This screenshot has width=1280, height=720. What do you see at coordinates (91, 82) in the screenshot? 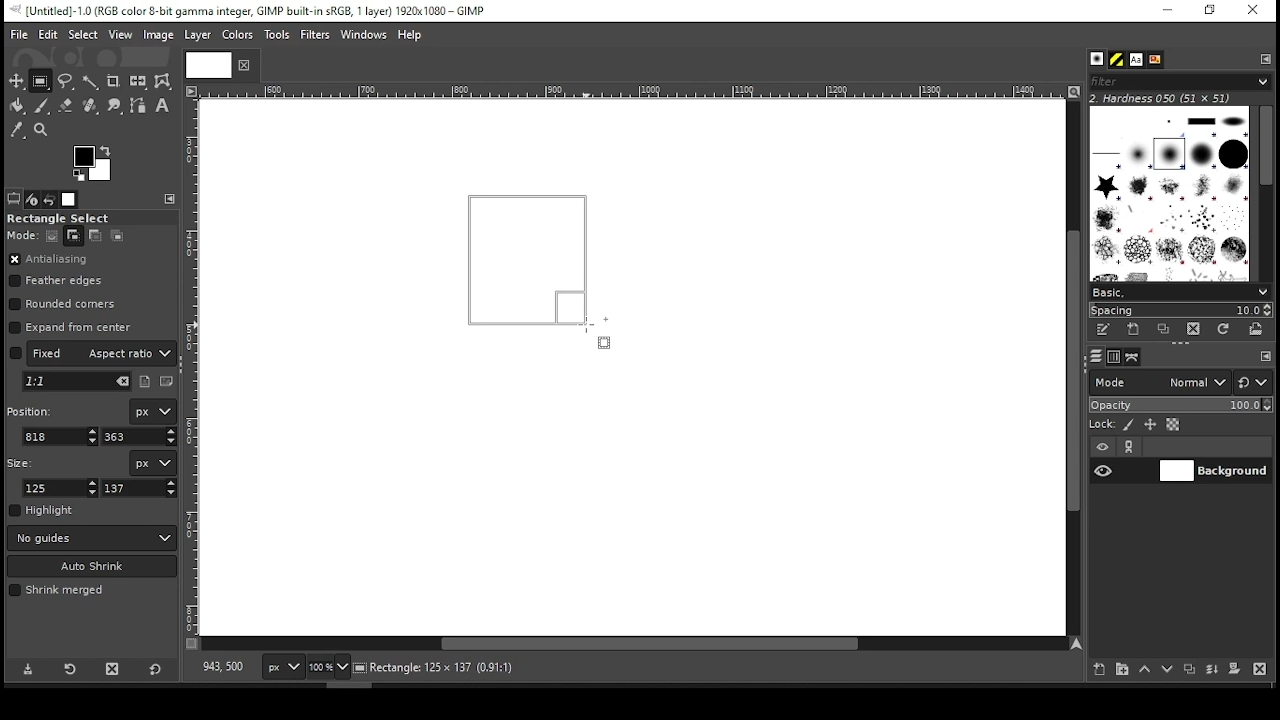
I see `fuzzy selection tool` at bounding box center [91, 82].